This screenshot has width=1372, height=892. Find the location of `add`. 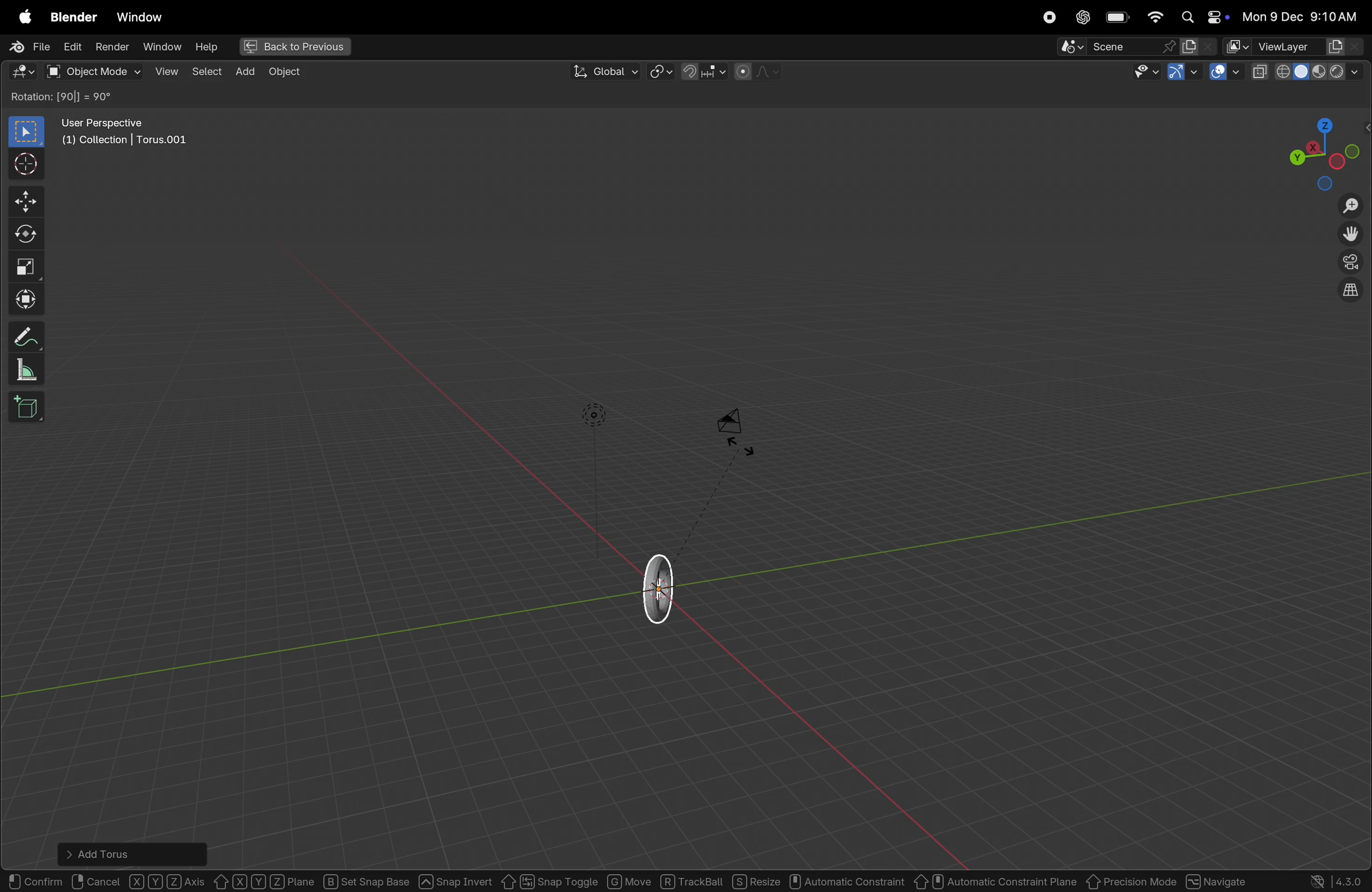

add is located at coordinates (242, 71).